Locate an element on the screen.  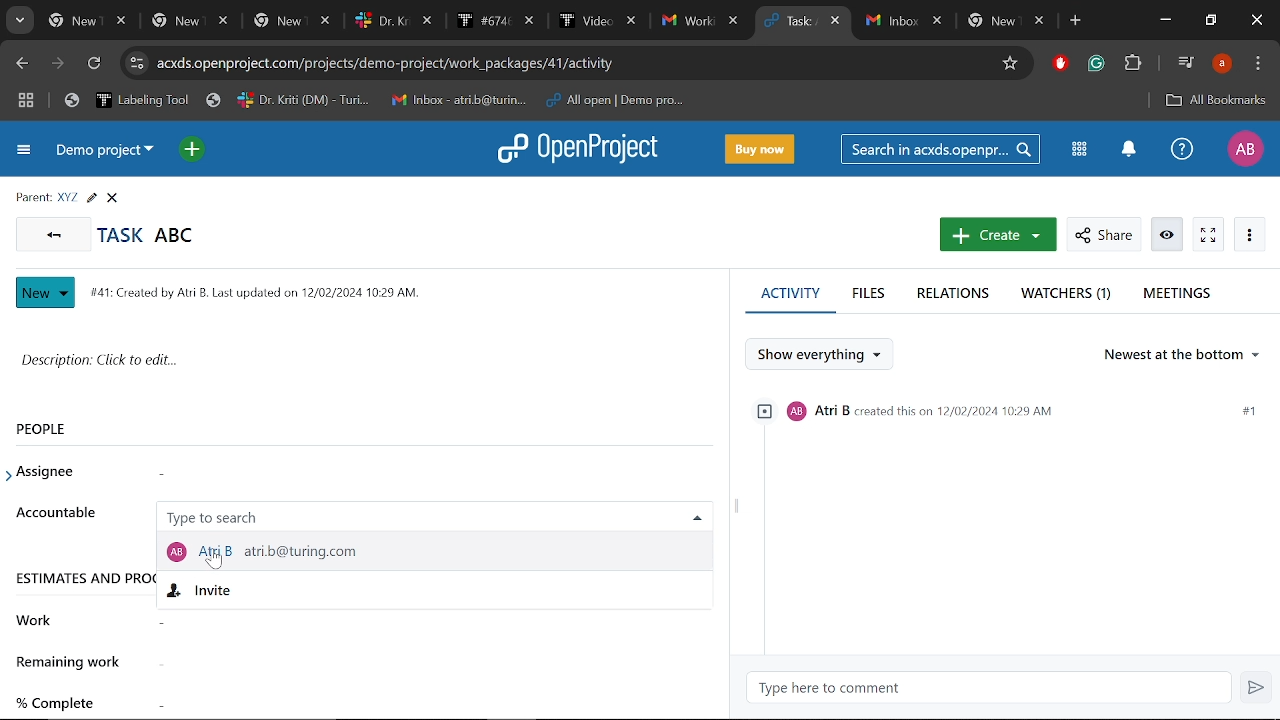
Send is located at coordinates (1256, 688).